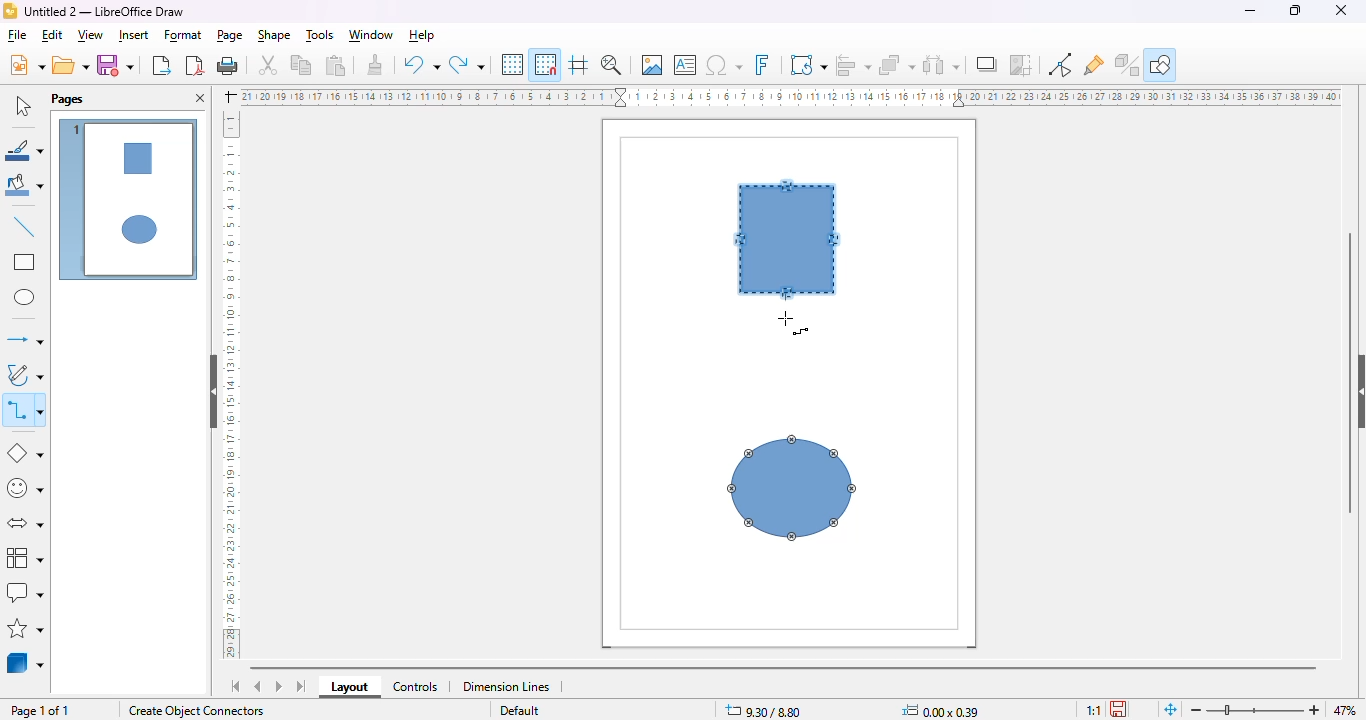 The image size is (1366, 720). Describe the element at coordinates (1250, 11) in the screenshot. I see `minimize` at that location.